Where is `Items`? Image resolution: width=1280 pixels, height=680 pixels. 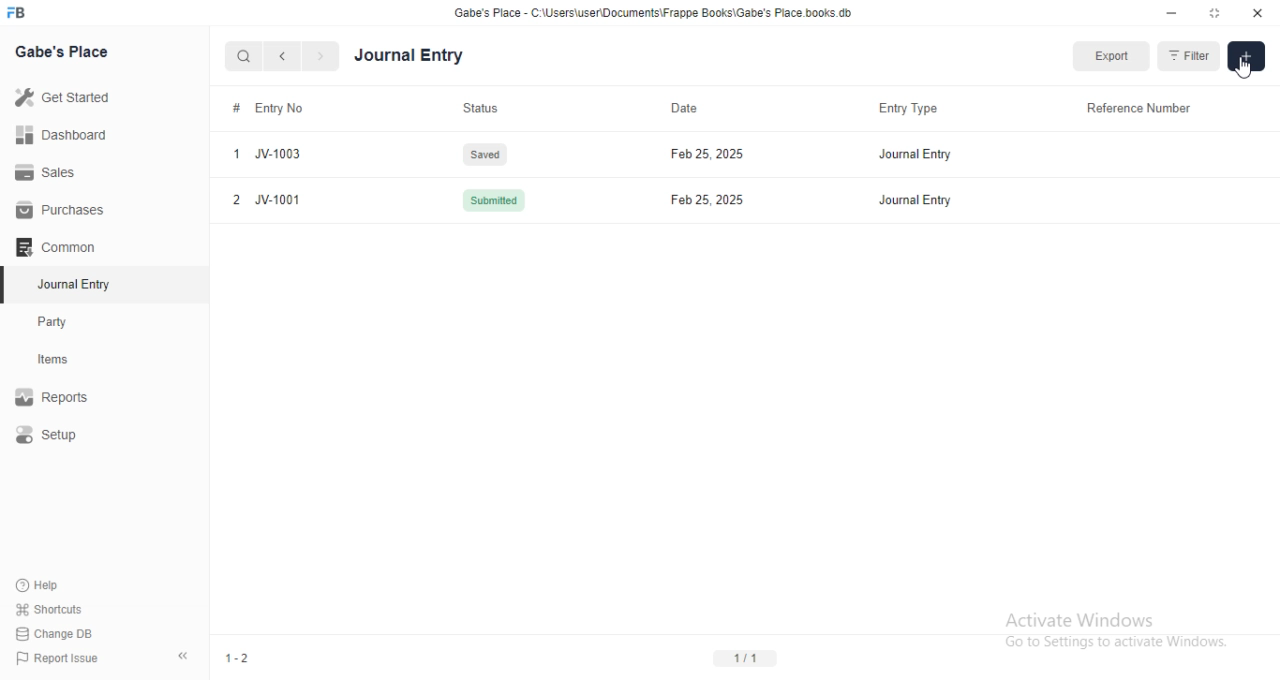 Items is located at coordinates (55, 360).